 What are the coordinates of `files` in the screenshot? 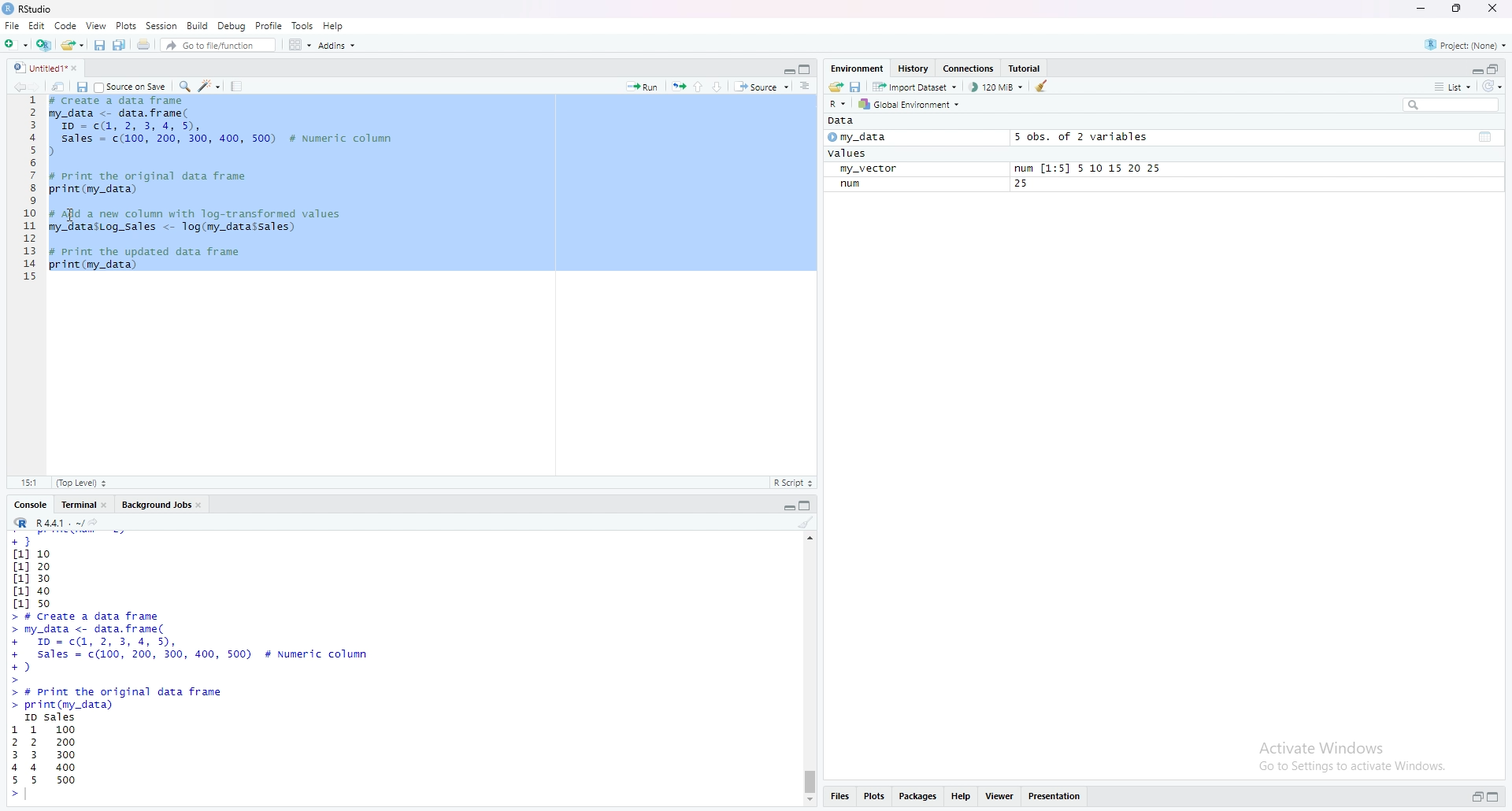 It's located at (844, 798).